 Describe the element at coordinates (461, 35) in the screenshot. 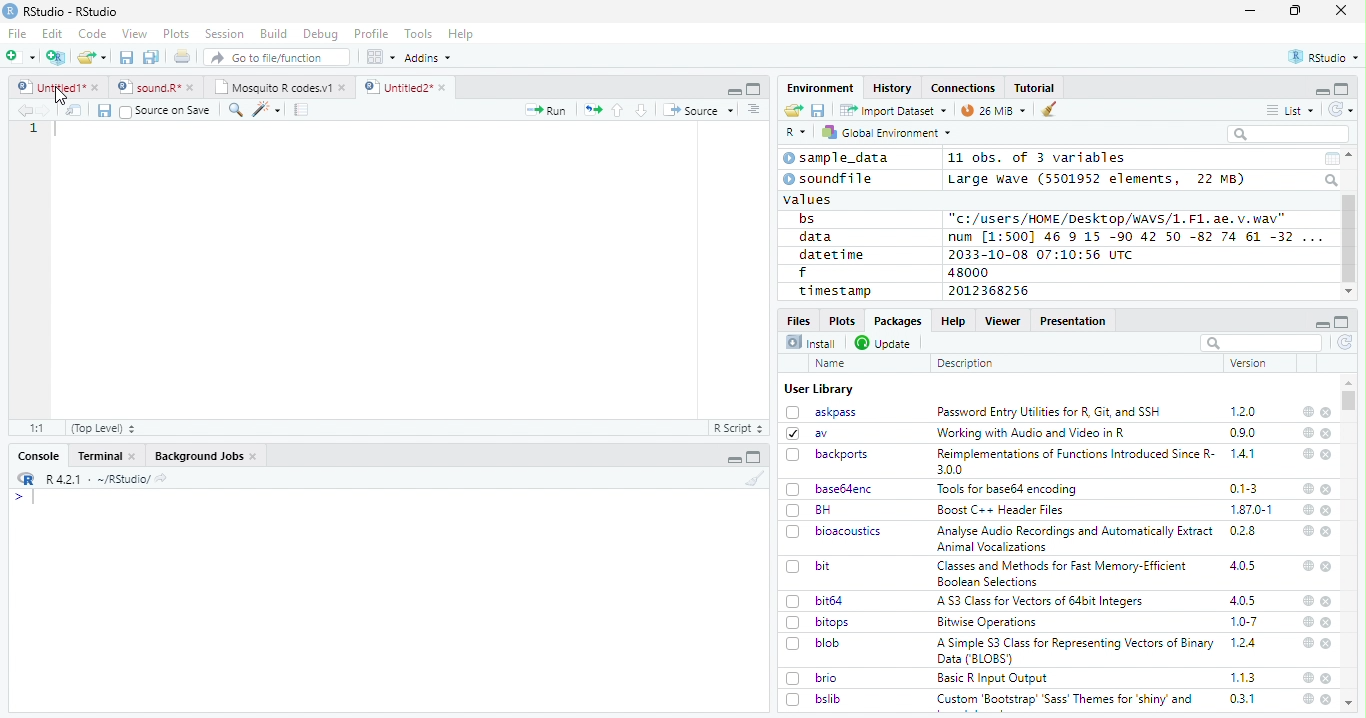

I see `Help` at that location.